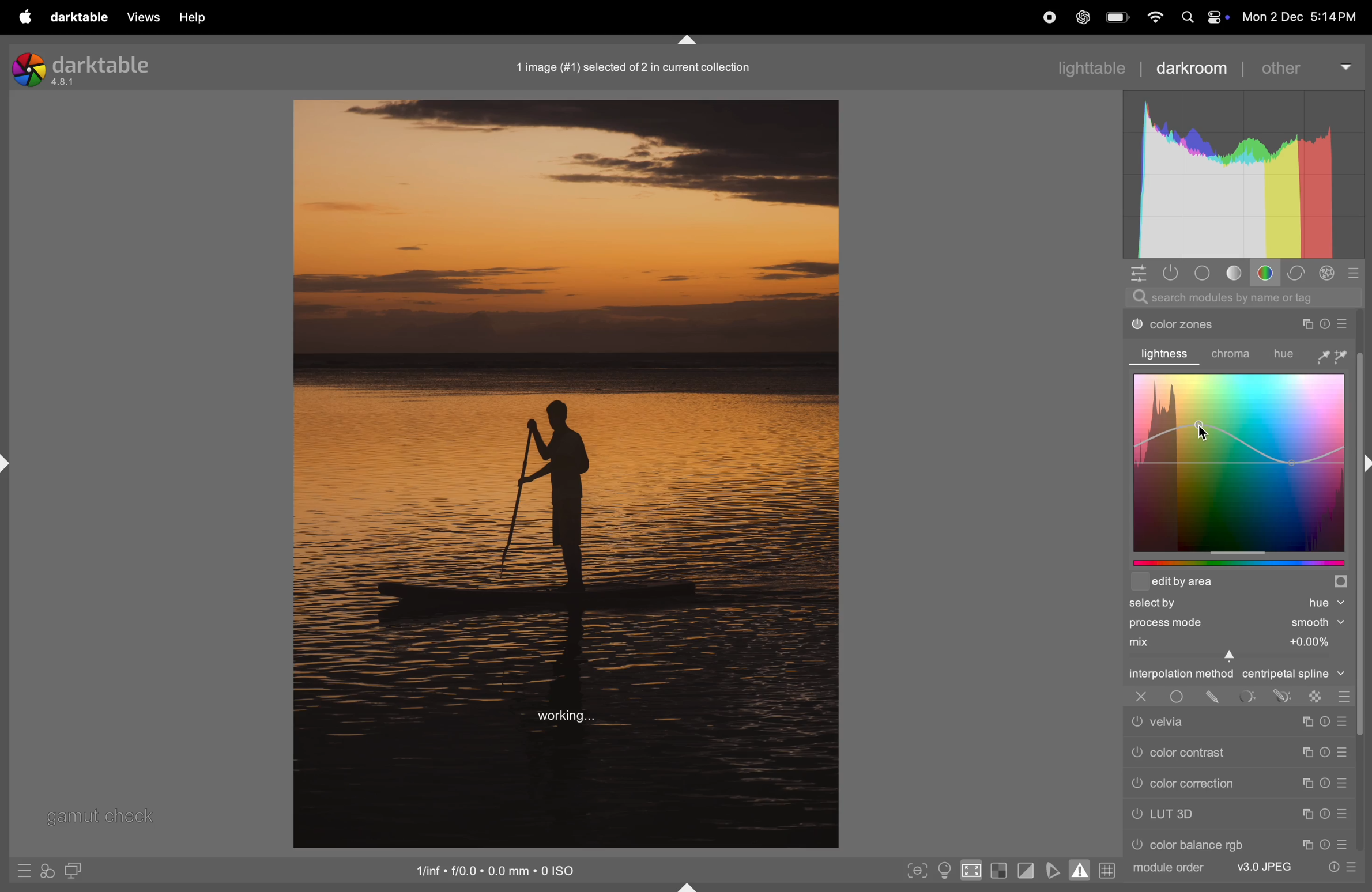 Image resolution: width=1372 pixels, height=892 pixels. I want to click on LUT 3d, so click(1204, 814).